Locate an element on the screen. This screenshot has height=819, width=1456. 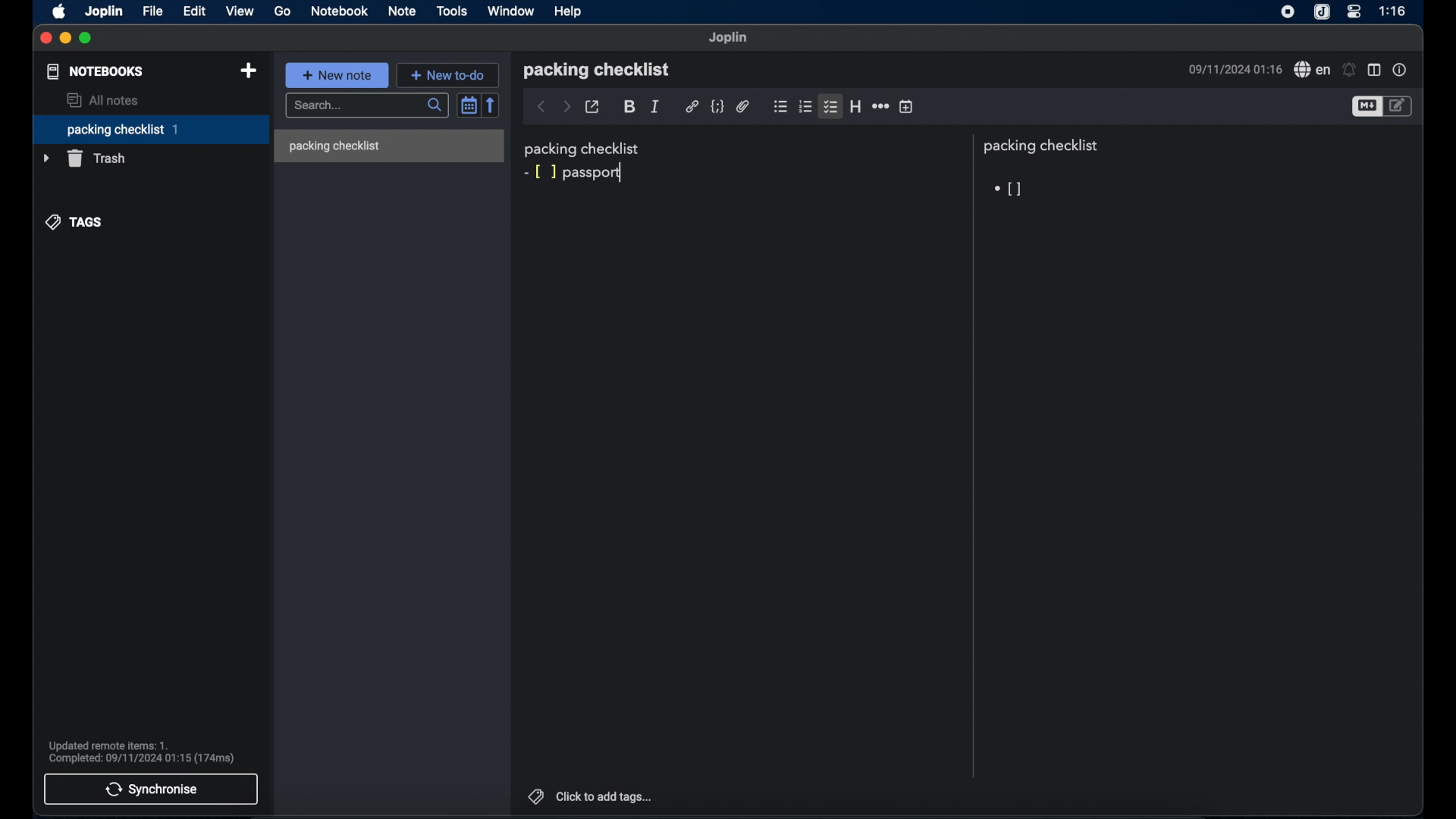
markdown syntax is located at coordinates (539, 171).